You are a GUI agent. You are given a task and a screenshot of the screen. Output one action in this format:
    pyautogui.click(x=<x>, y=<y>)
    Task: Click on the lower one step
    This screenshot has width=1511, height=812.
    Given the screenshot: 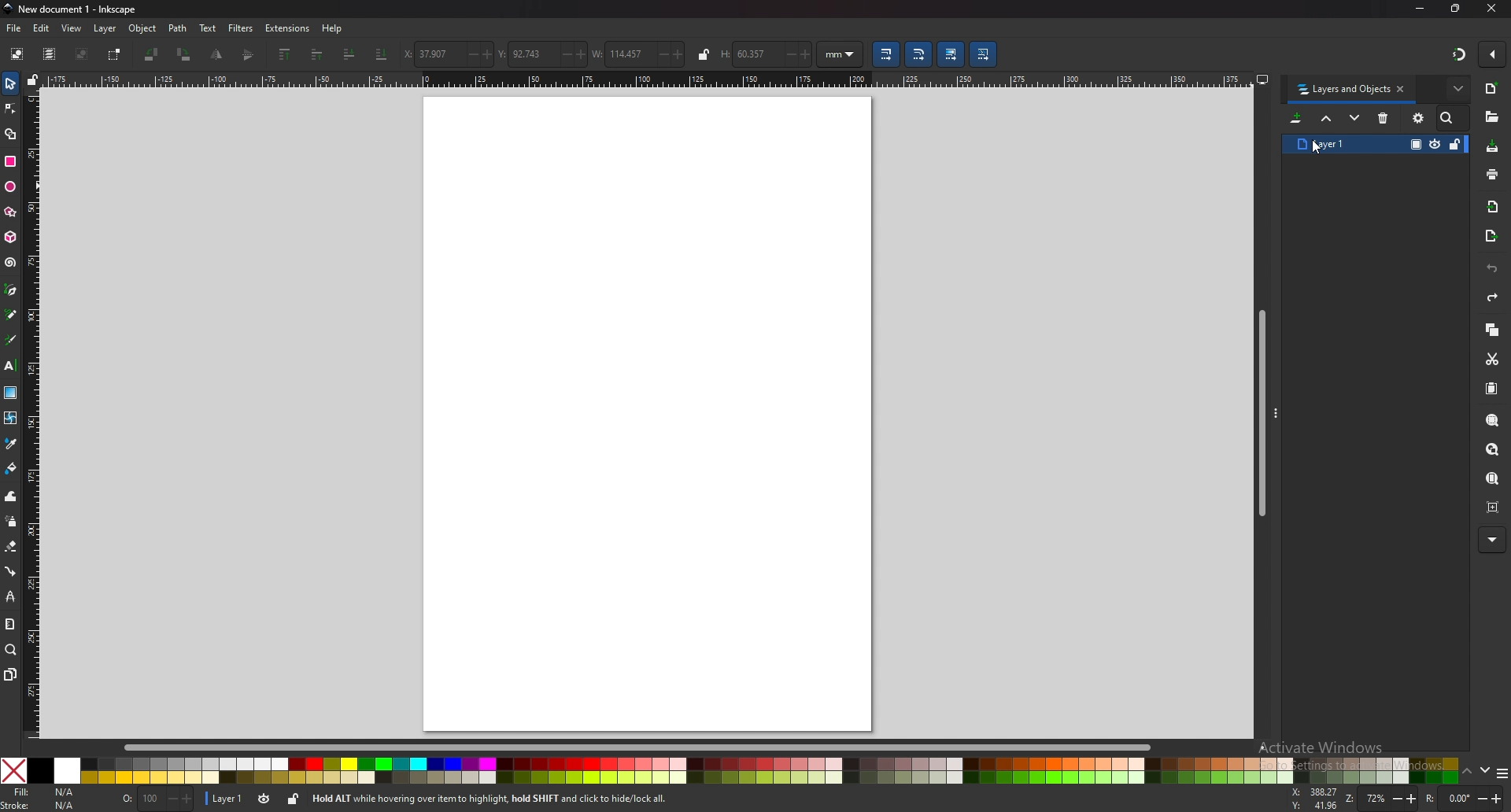 What is the action you would take?
    pyautogui.click(x=349, y=54)
    